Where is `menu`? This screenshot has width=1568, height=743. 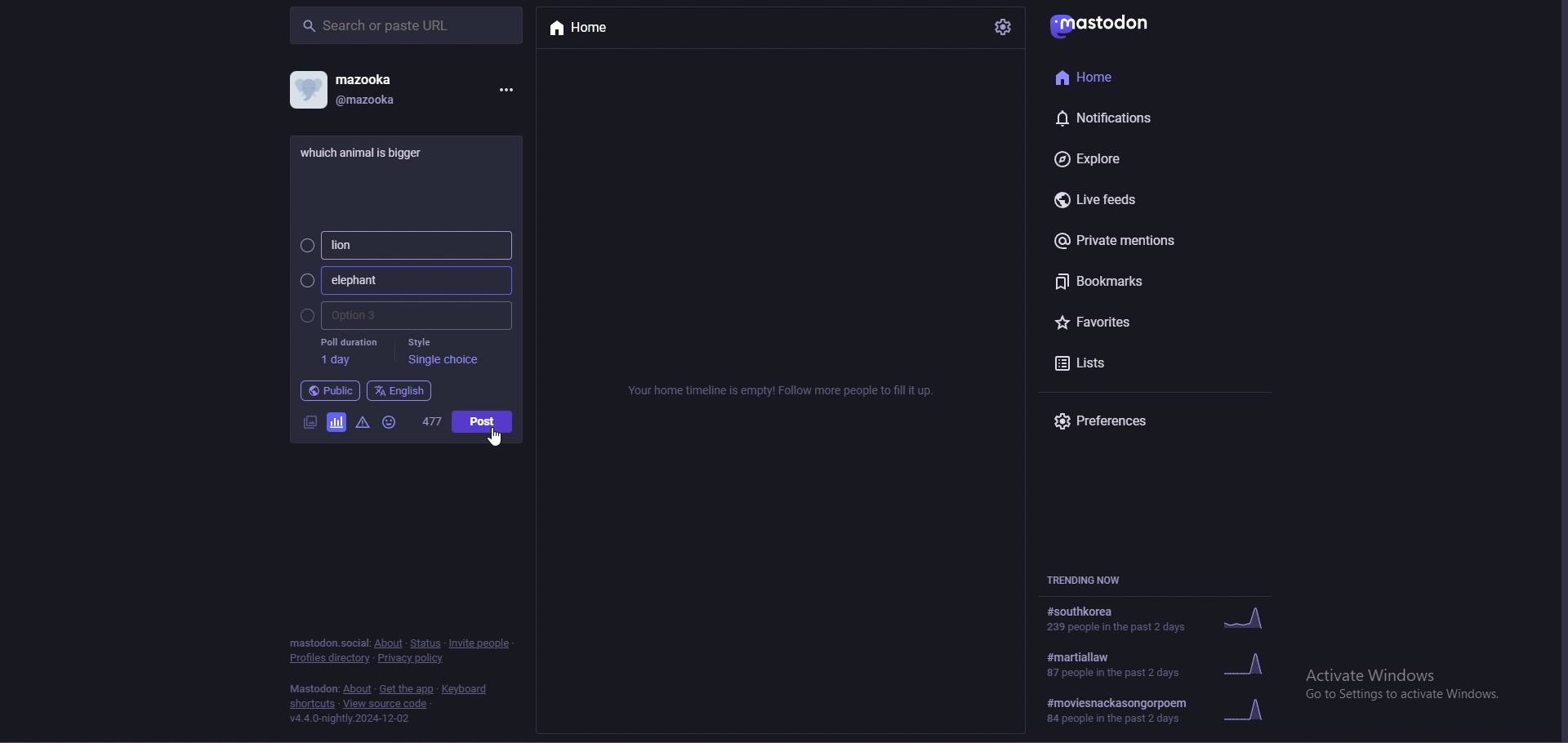 menu is located at coordinates (506, 88).